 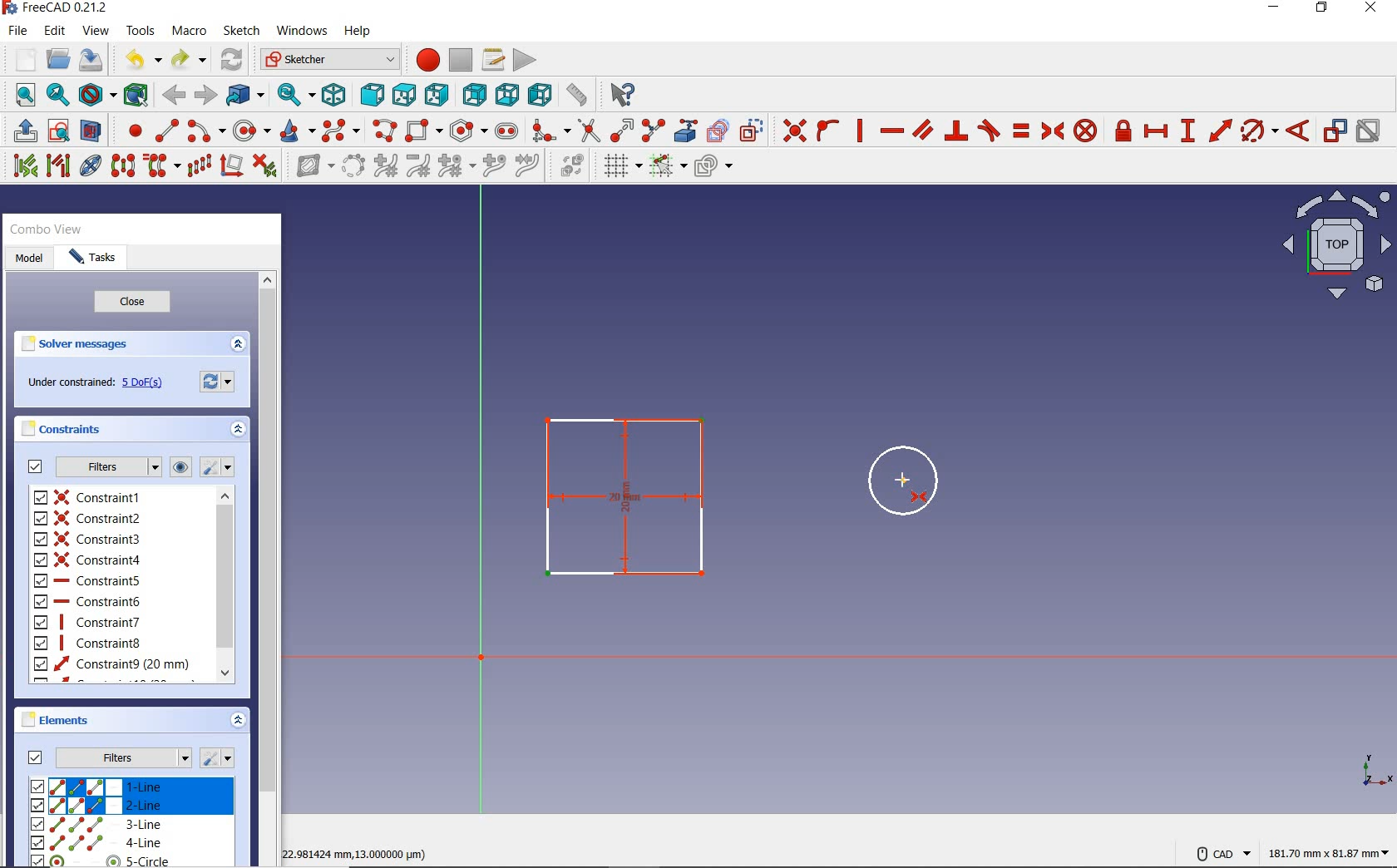 What do you see at coordinates (437, 94) in the screenshot?
I see `right` at bounding box center [437, 94].